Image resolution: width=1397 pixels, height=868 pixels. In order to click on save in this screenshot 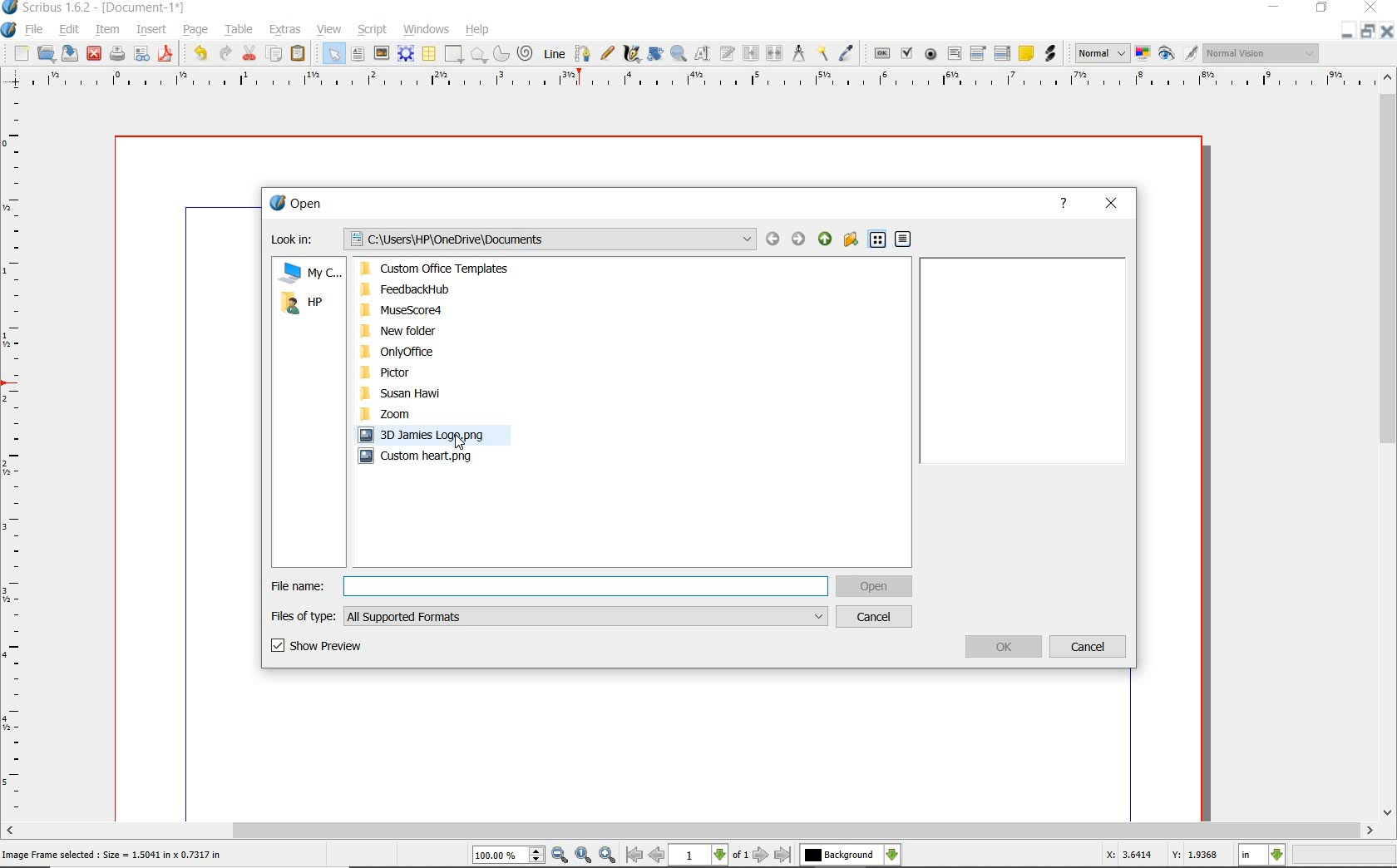, I will do `click(71, 52)`.